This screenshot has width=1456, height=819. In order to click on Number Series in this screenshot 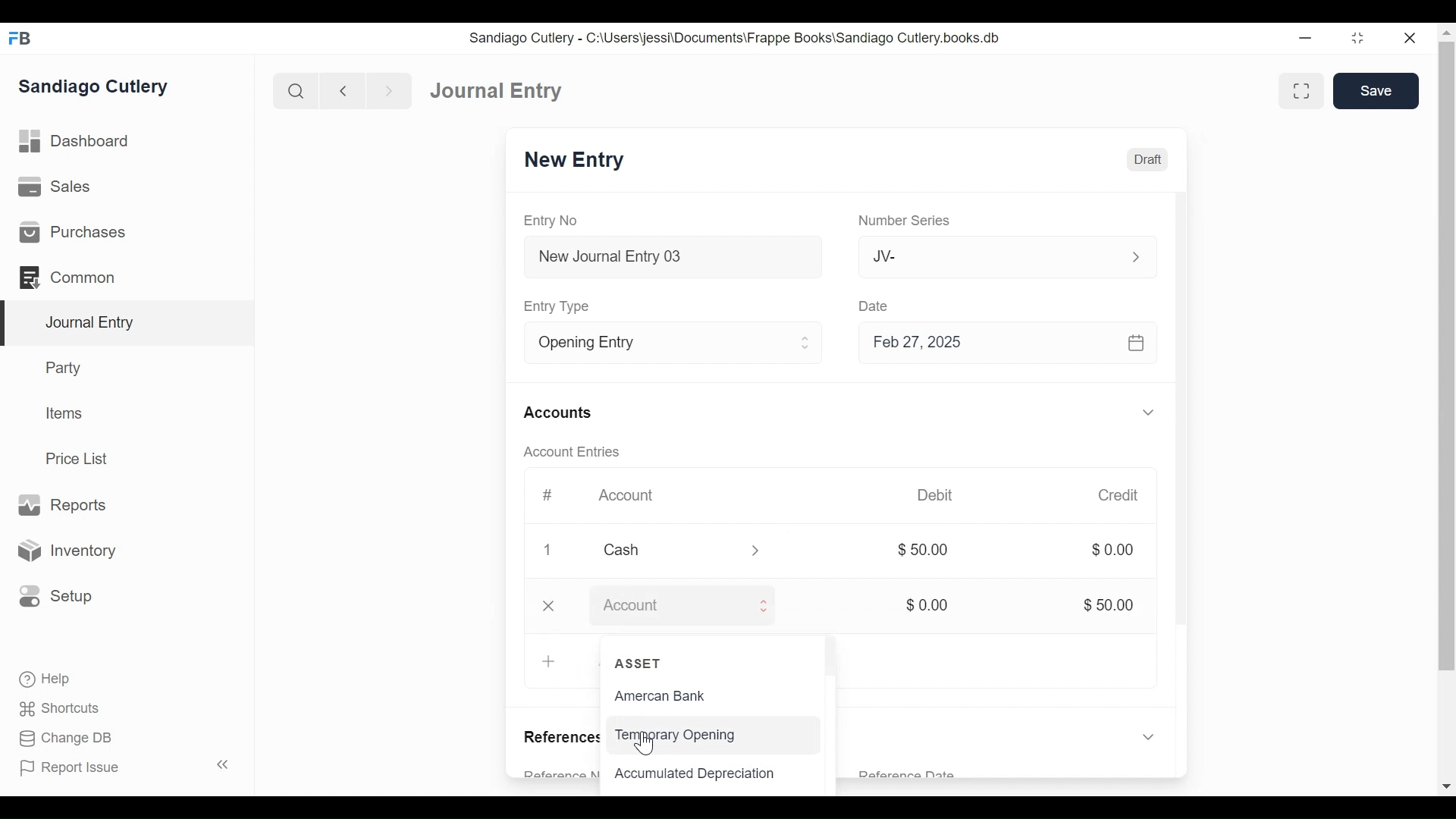, I will do `click(912, 221)`.